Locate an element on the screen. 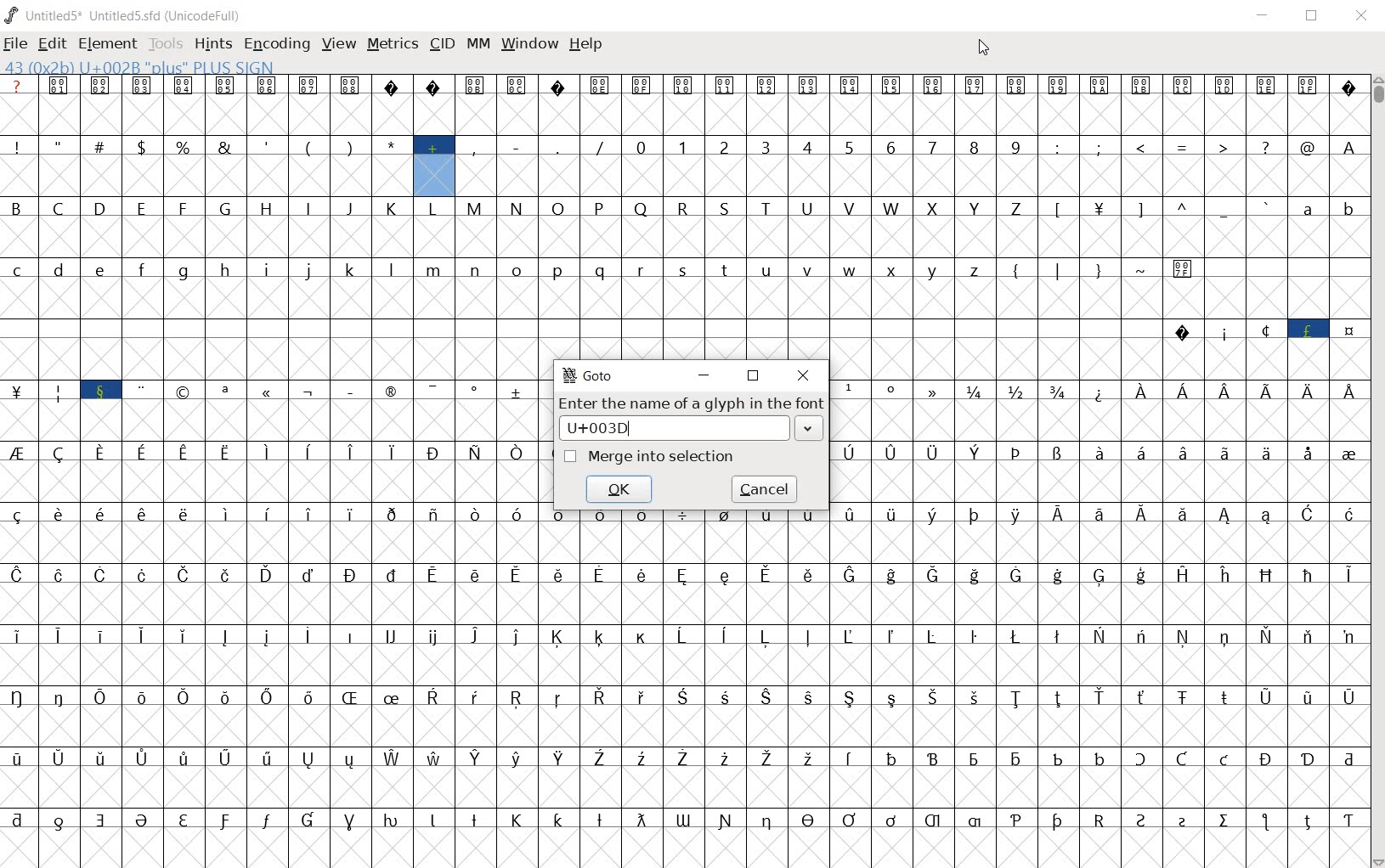 Image resolution: width=1385 pixels, height=868 pixels. close is located at coordinates (1361, 17).